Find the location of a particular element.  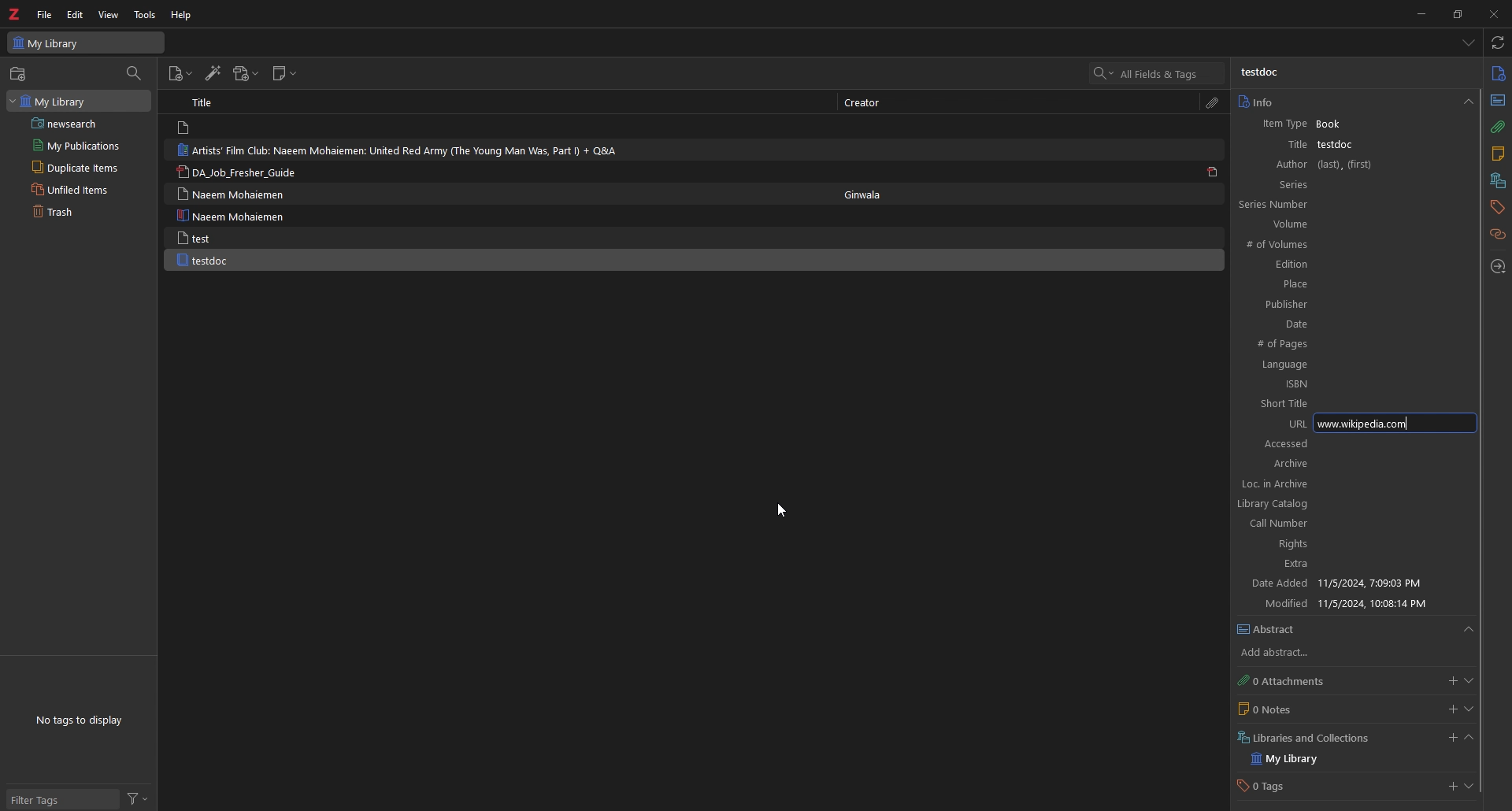

DA_lob_Fresher_Guide is located at coordinates (239, 173).